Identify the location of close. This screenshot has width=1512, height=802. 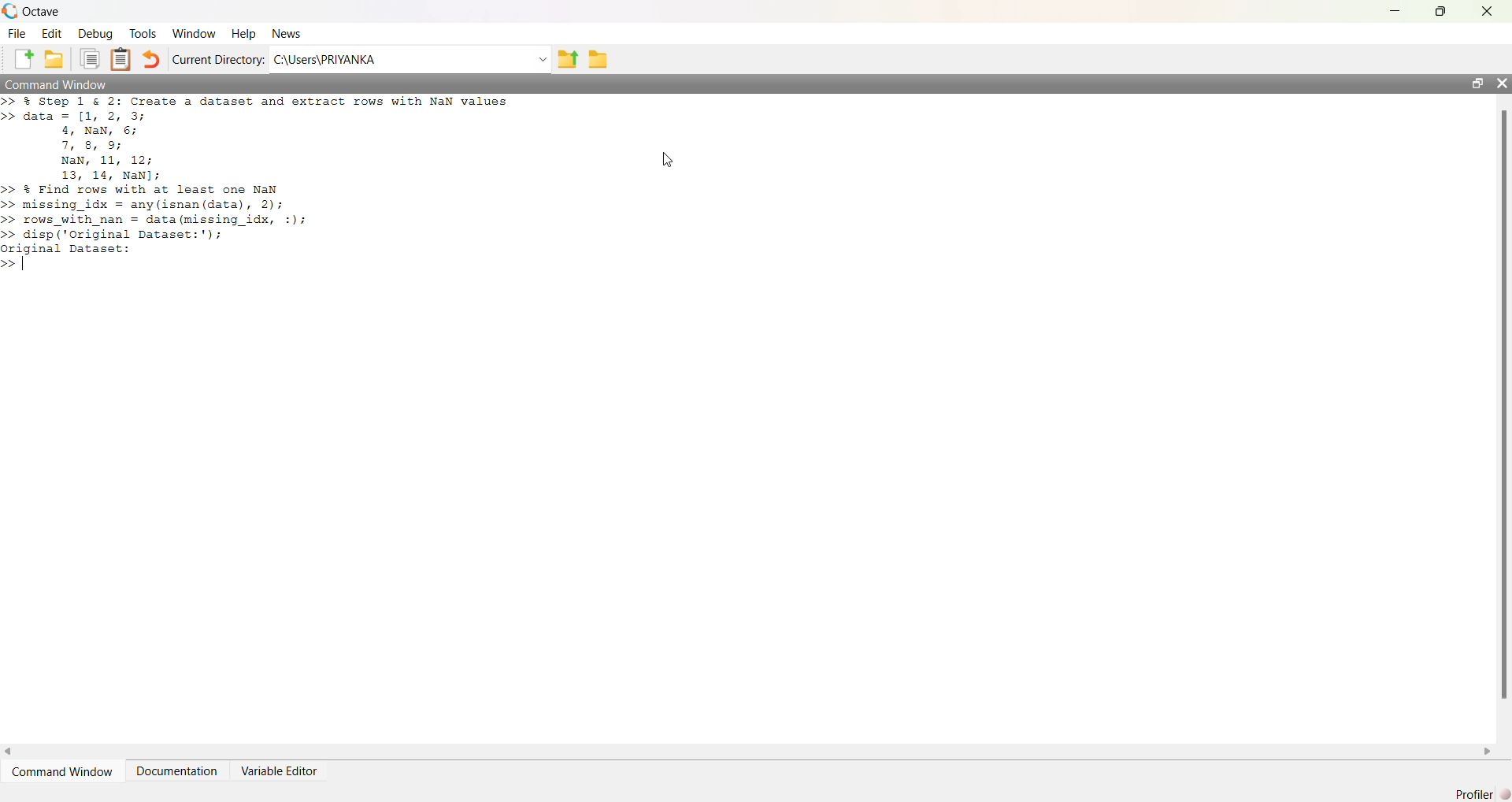
(1488, 12).